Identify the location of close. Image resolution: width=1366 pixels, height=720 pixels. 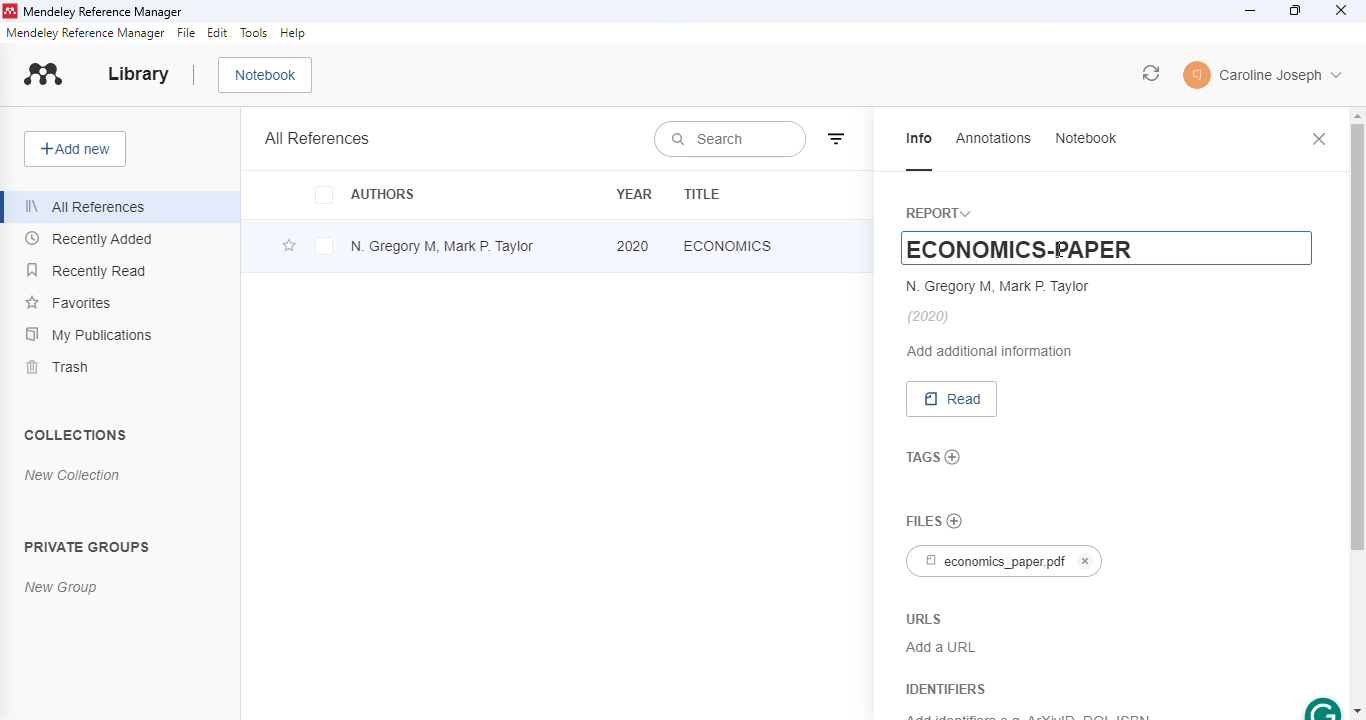
(1321, 140).